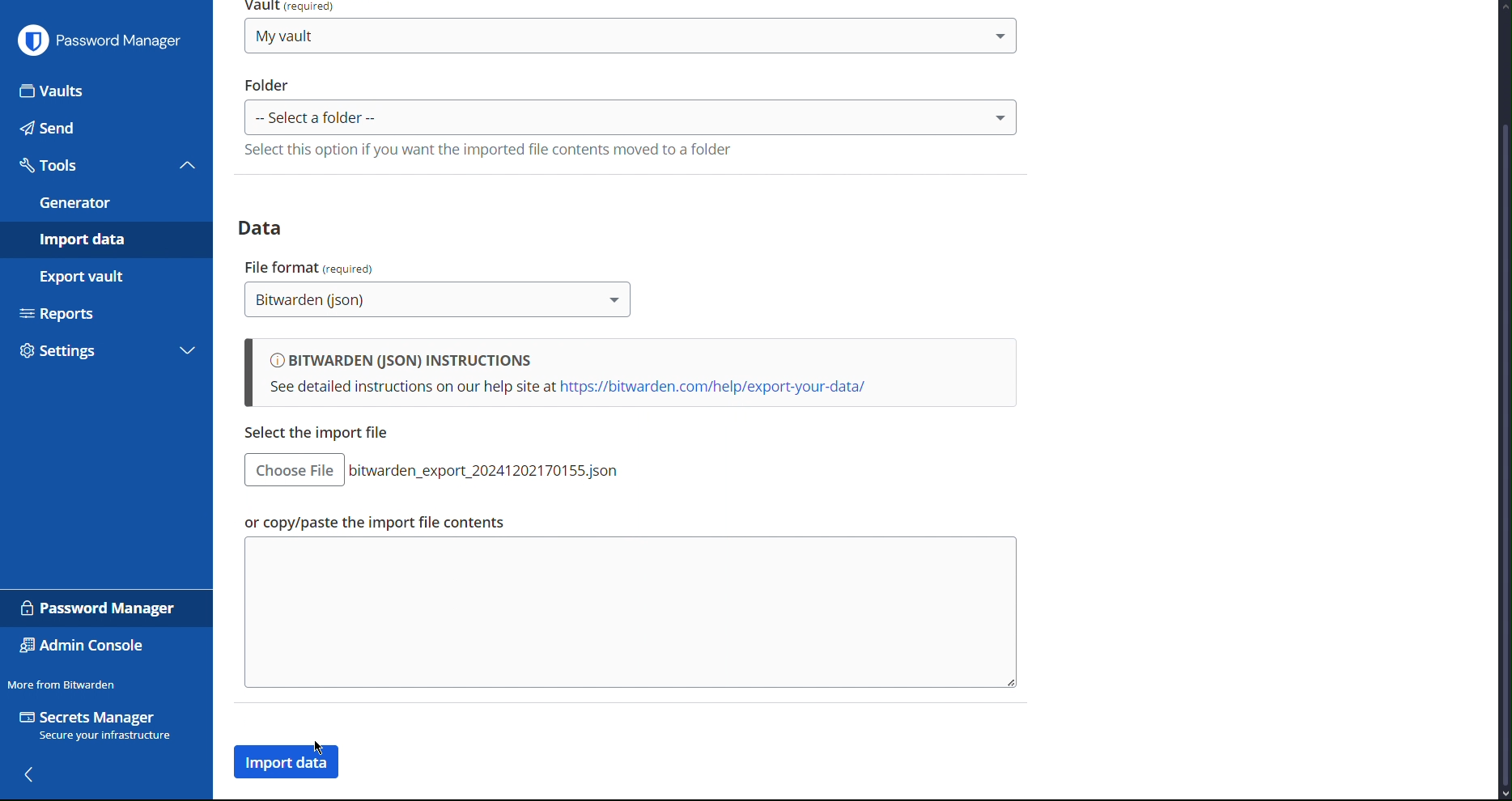 The image size is (1512, 801). I want to click on Secrets Manager, so click(99, 727).